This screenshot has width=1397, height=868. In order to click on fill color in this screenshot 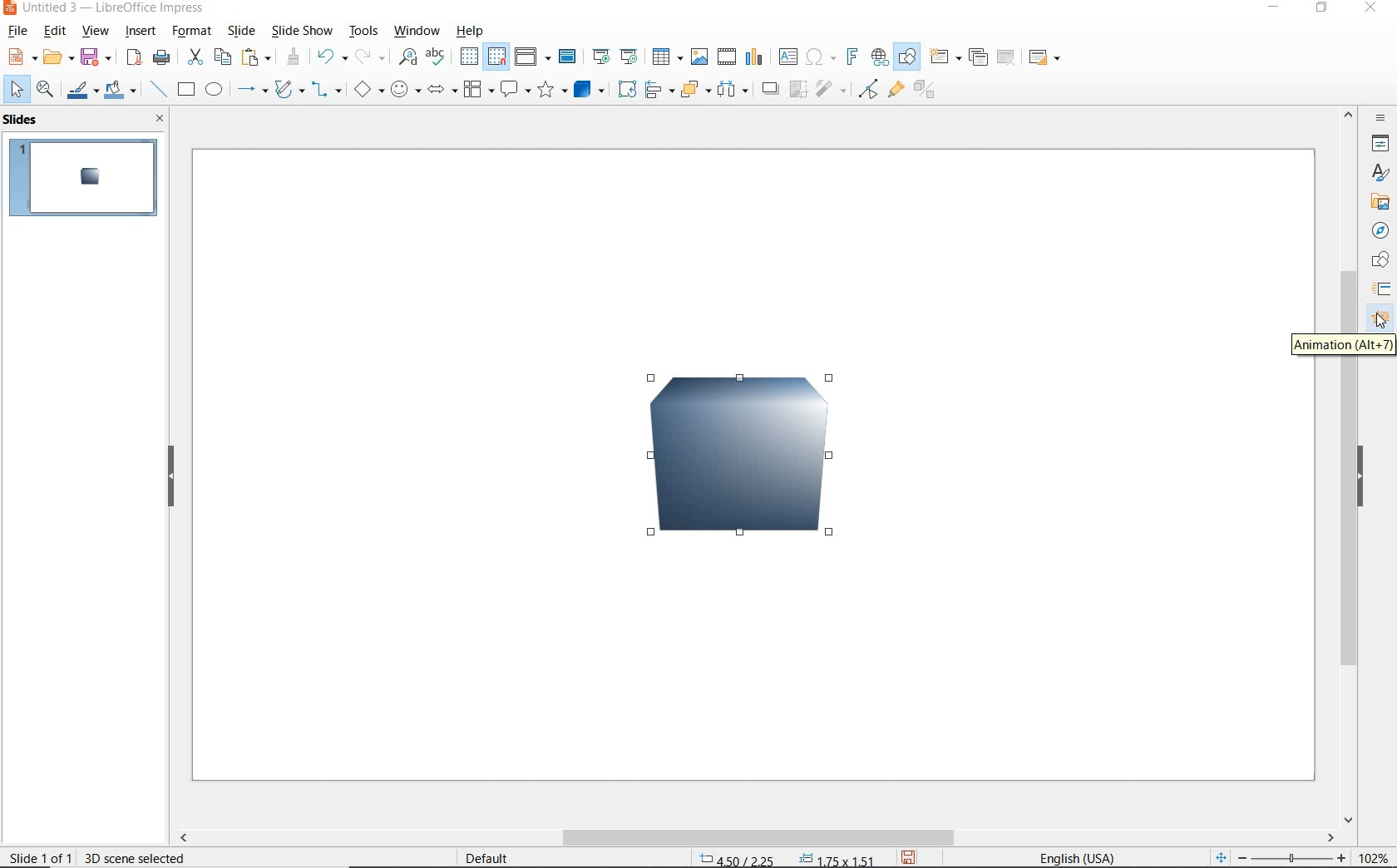, I will do `click(120, 91)`.